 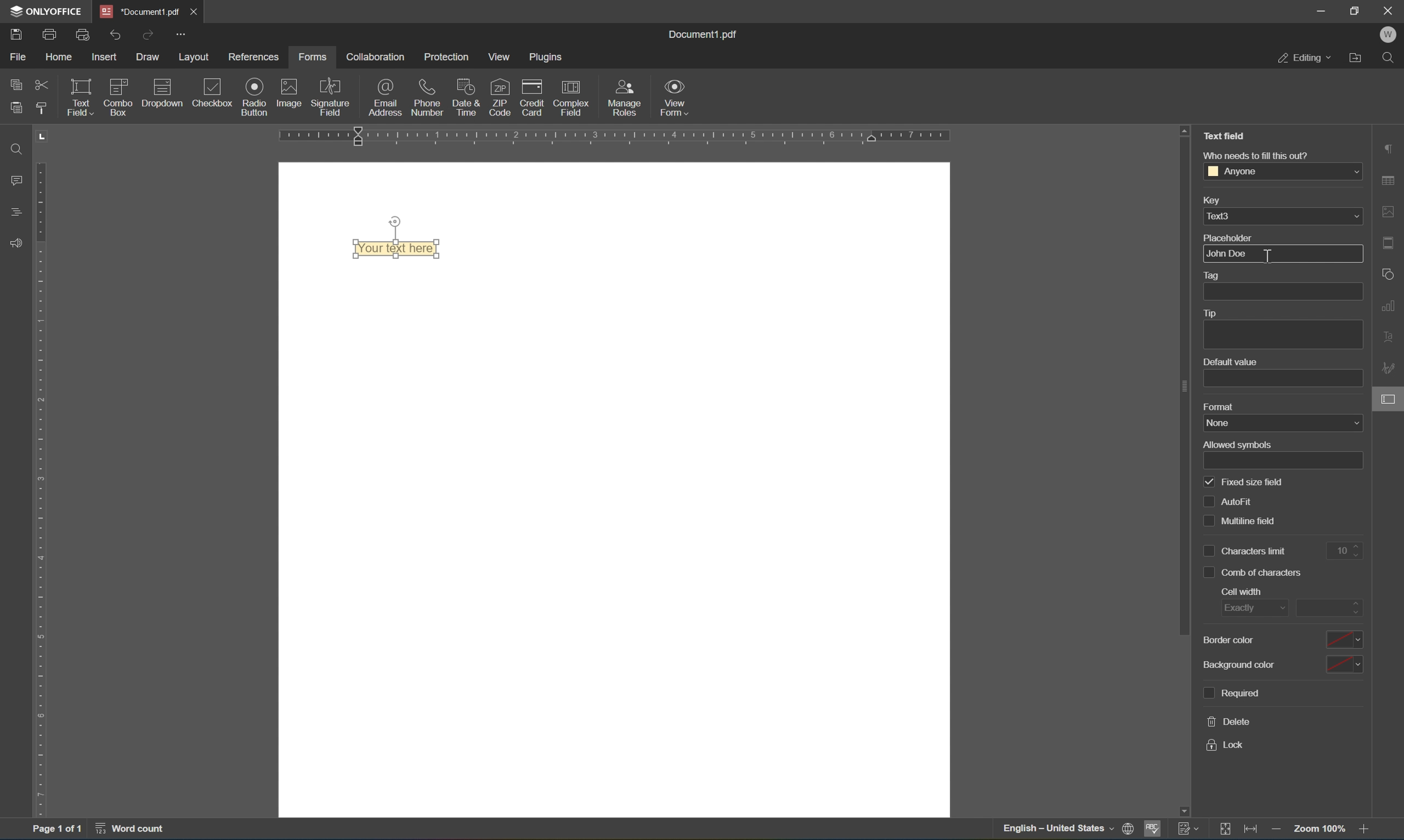 I want to click on signature field, so click(x=335, y=94).